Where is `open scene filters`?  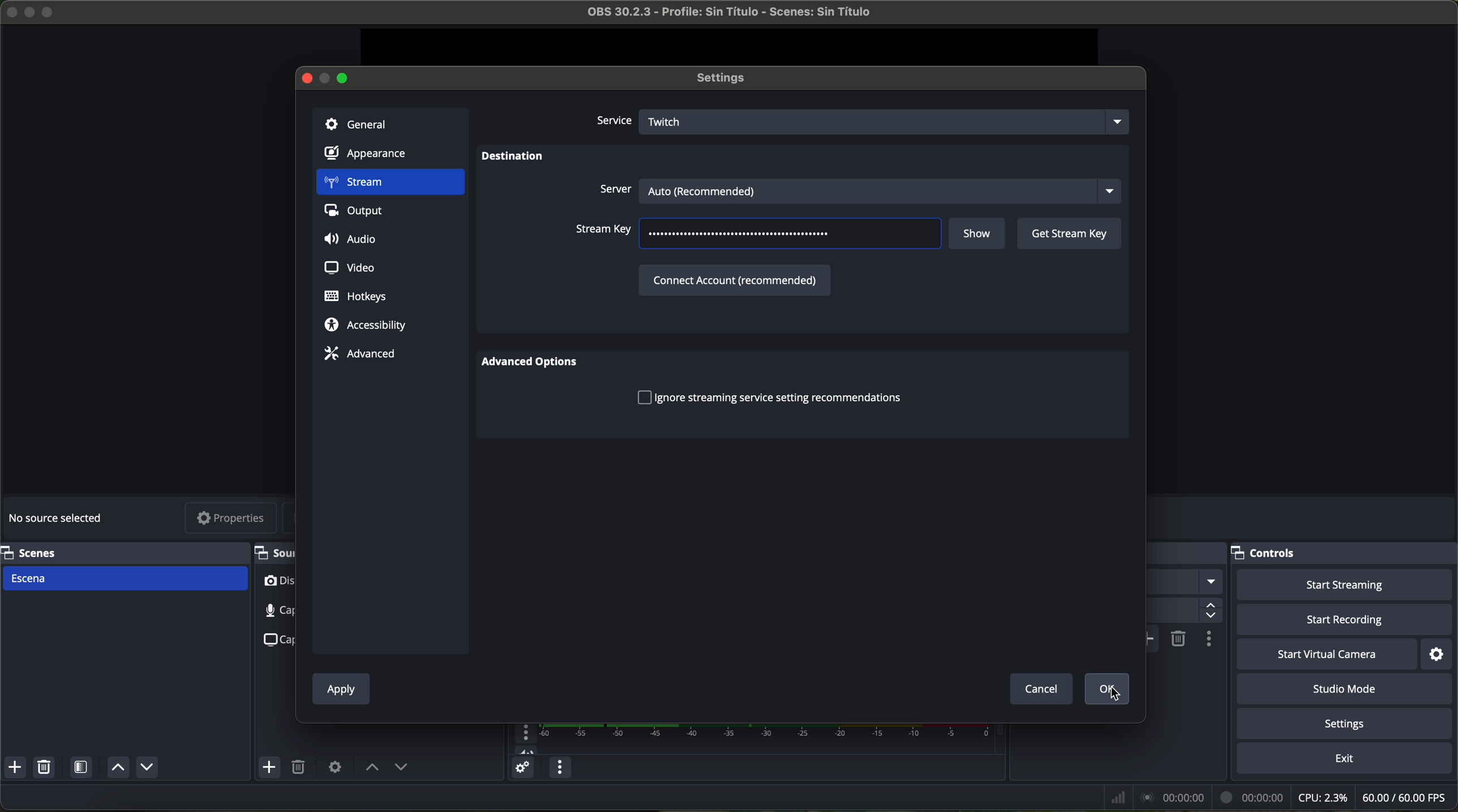
open scene filters is located at coordinates (83, 769).